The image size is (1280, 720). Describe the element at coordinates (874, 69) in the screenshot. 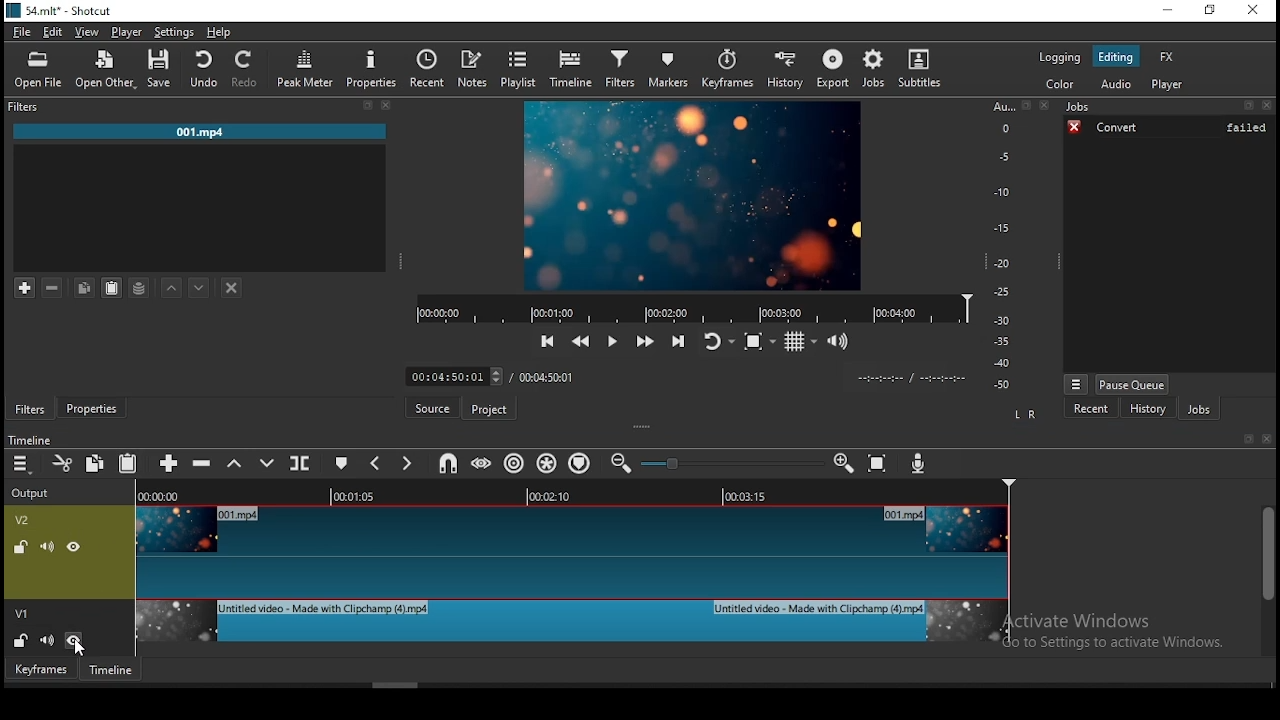

I see `jobs` at that location.